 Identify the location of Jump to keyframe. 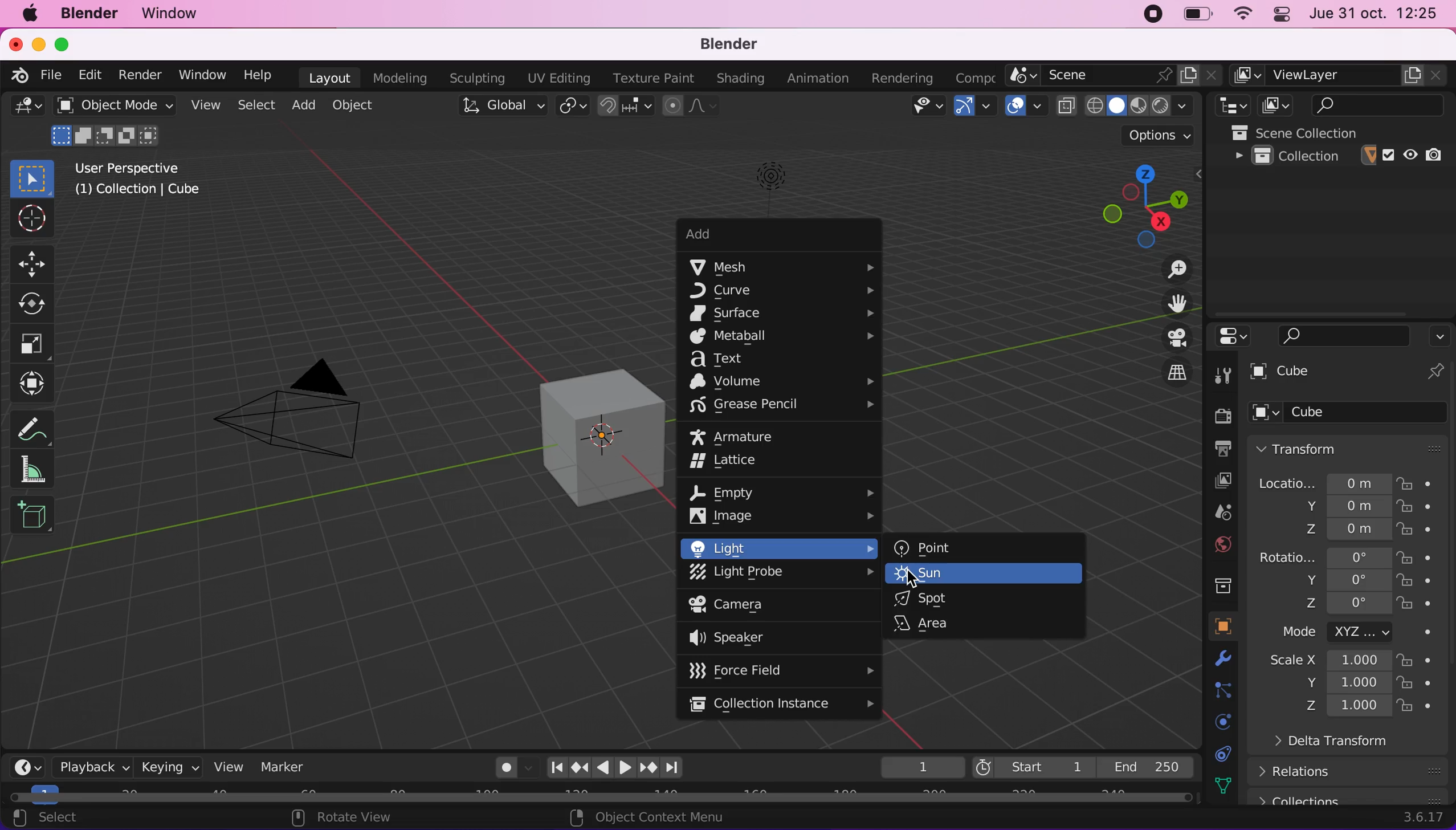
(649, 768).